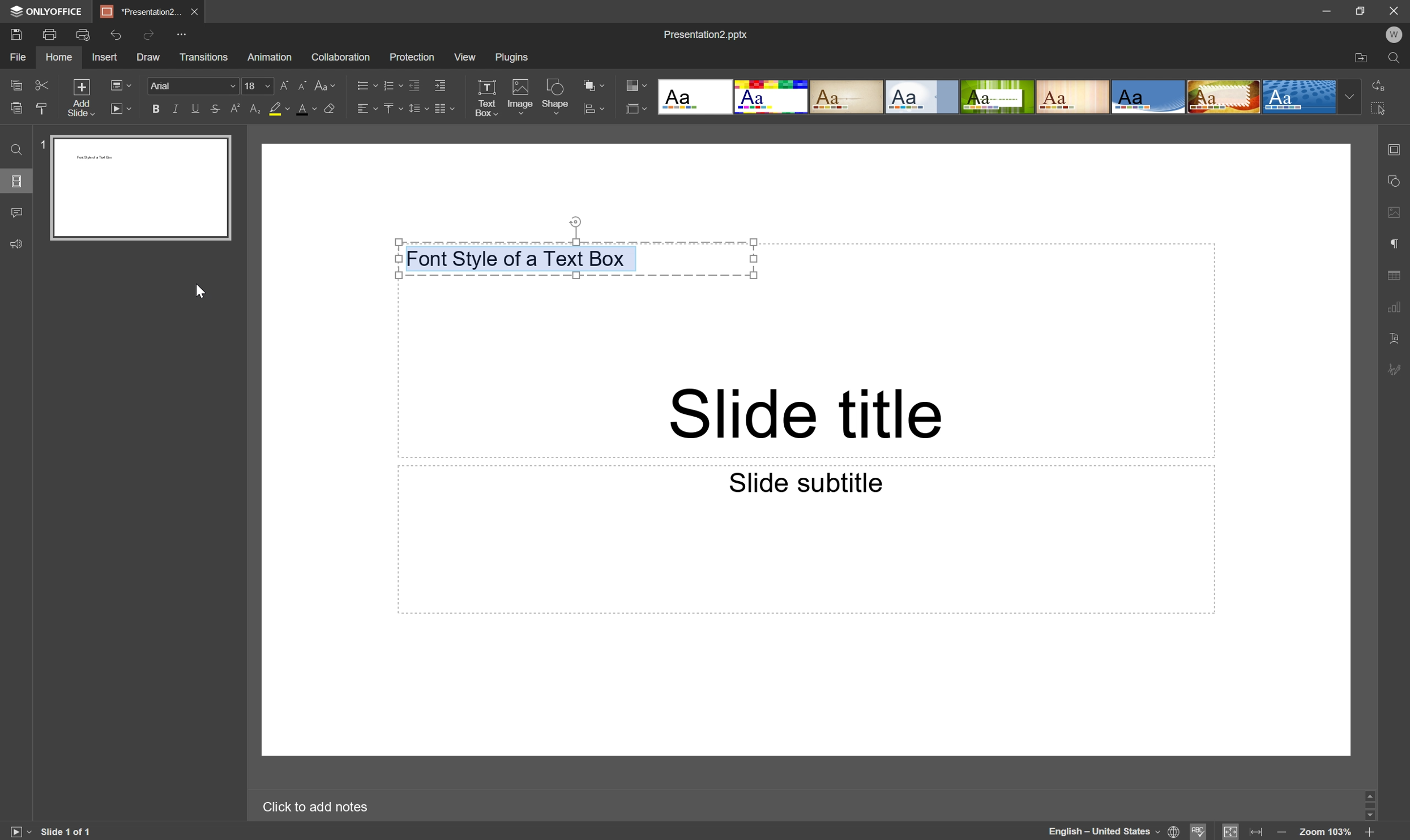 The width and height of the screenshot is (1410, 840). I want to click on Increase indent, so click(442, 84).